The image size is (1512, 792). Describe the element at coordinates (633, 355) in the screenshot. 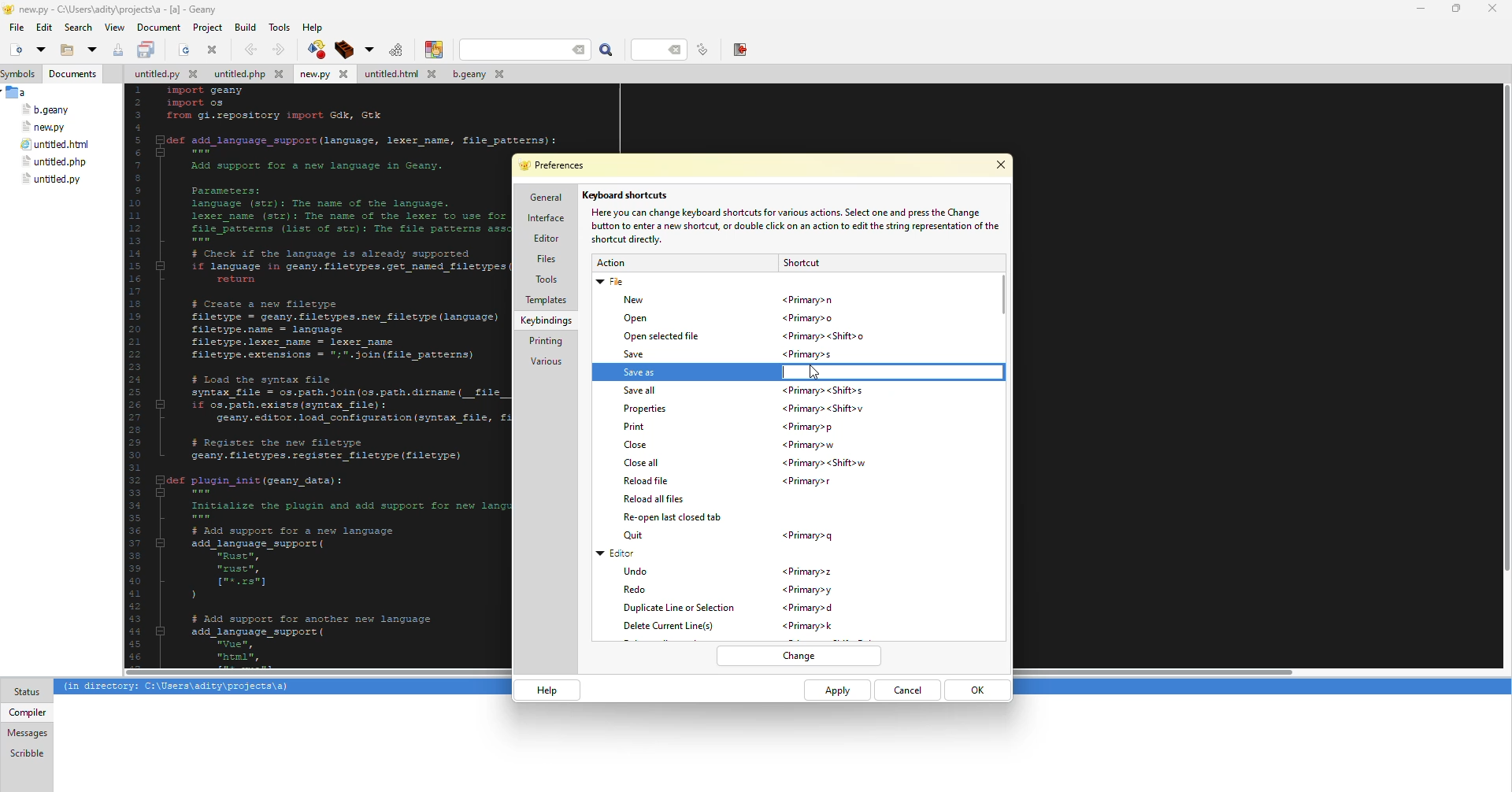

I see `save` at that location.